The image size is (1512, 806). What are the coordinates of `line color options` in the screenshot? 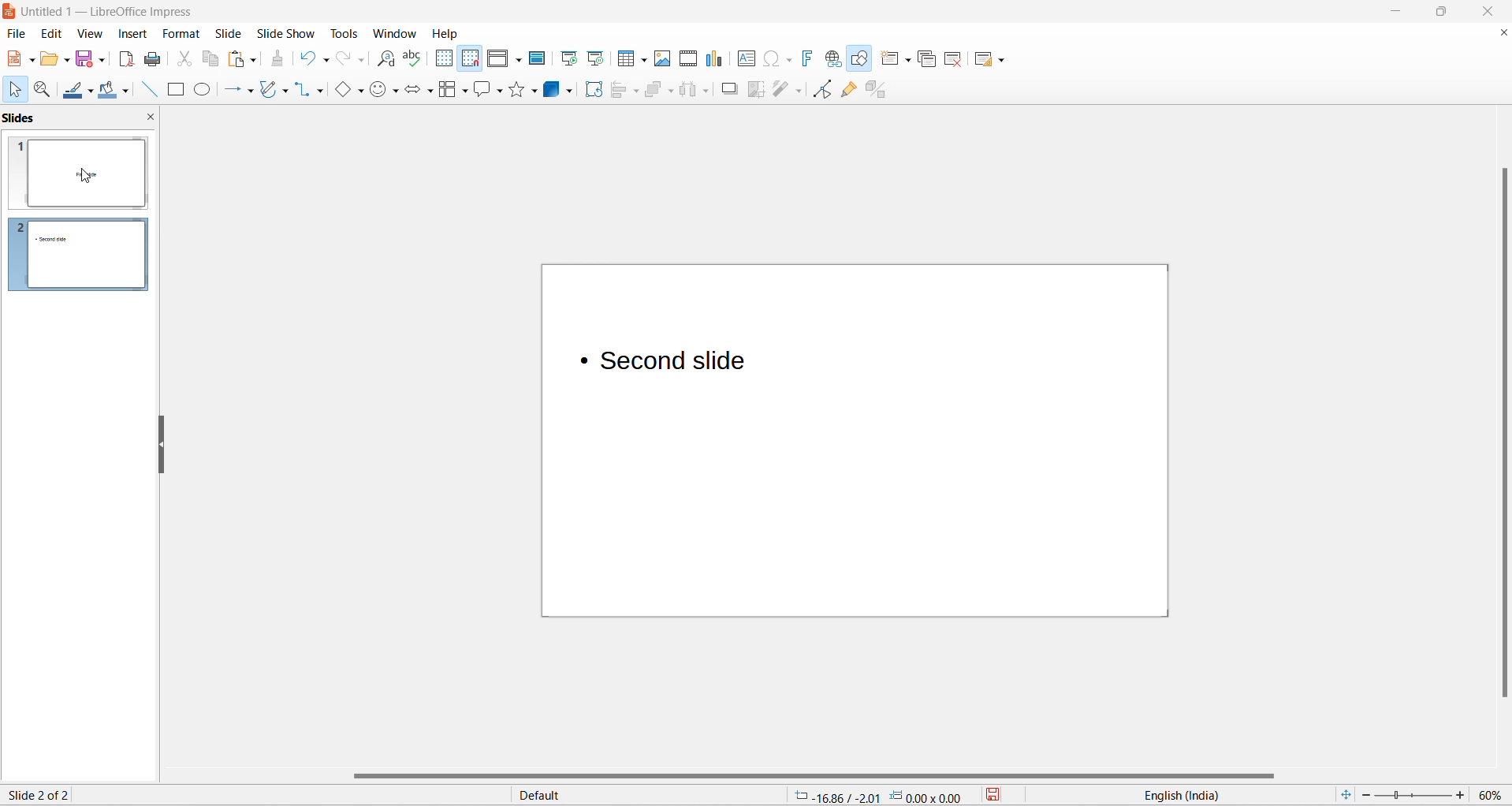 It's located at (89, 89).